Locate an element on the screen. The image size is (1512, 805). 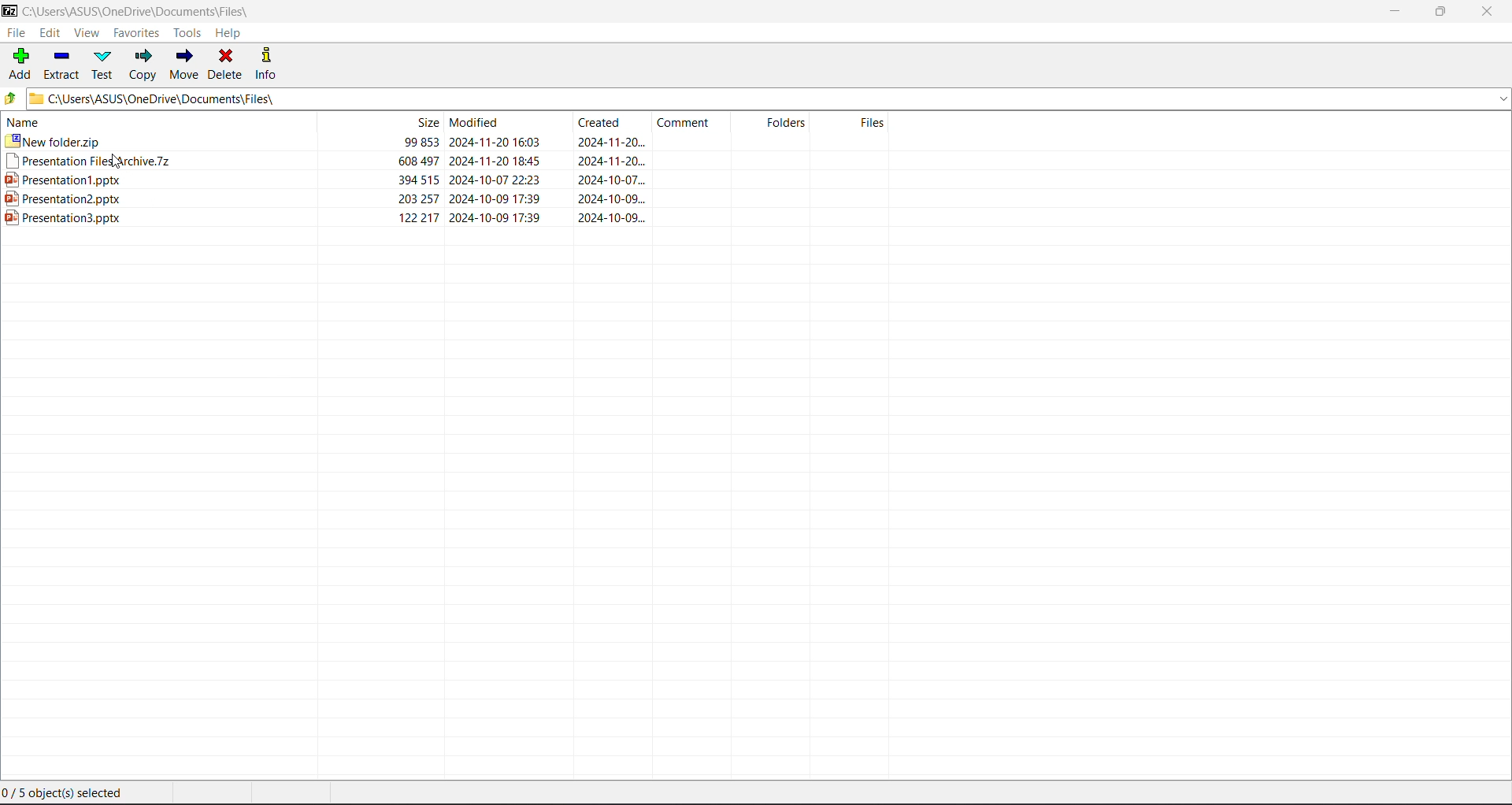
cursor is located at coordinates (113, 165).